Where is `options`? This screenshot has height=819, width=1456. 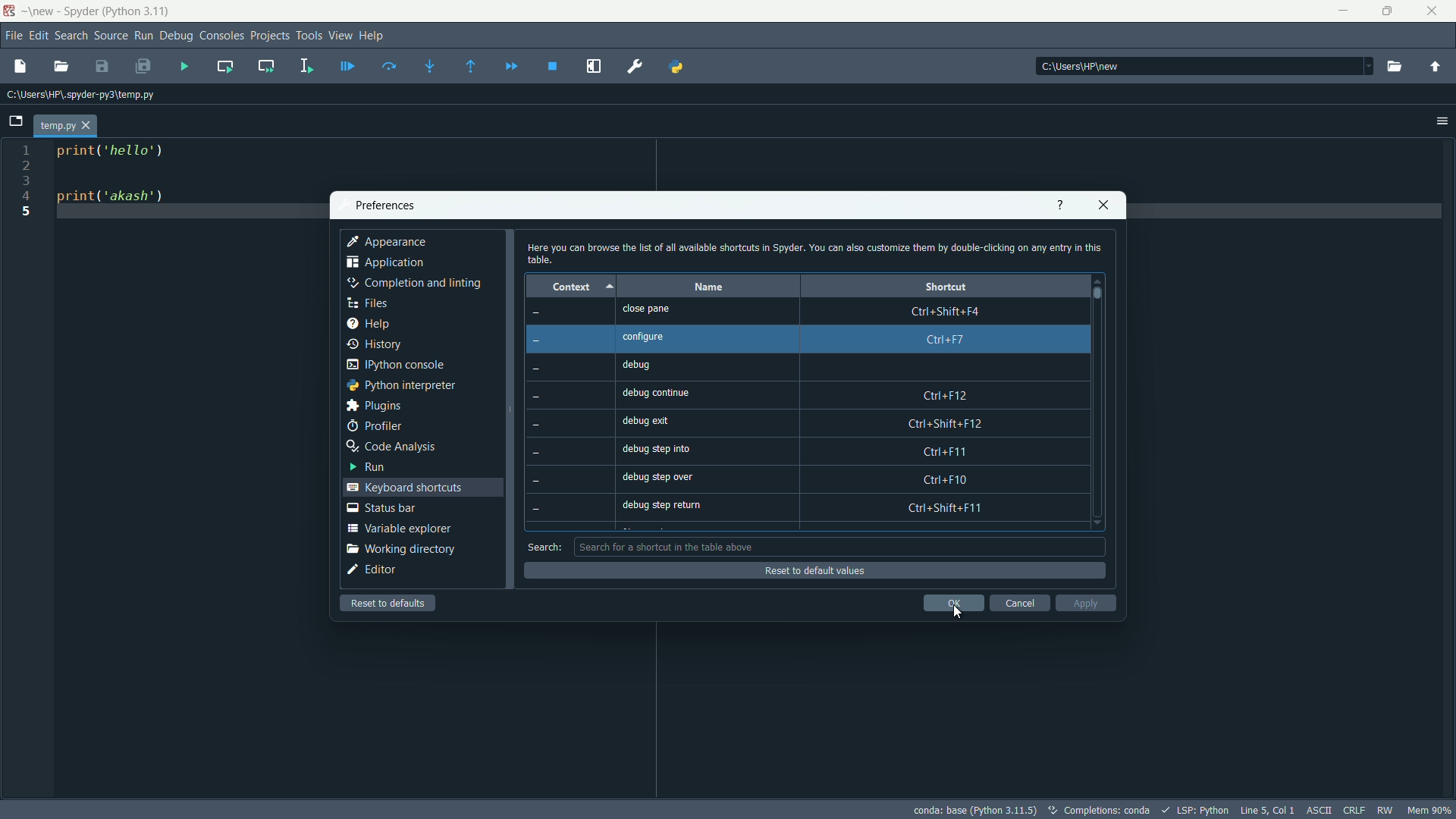 options is located at coordinates (1443, 120).